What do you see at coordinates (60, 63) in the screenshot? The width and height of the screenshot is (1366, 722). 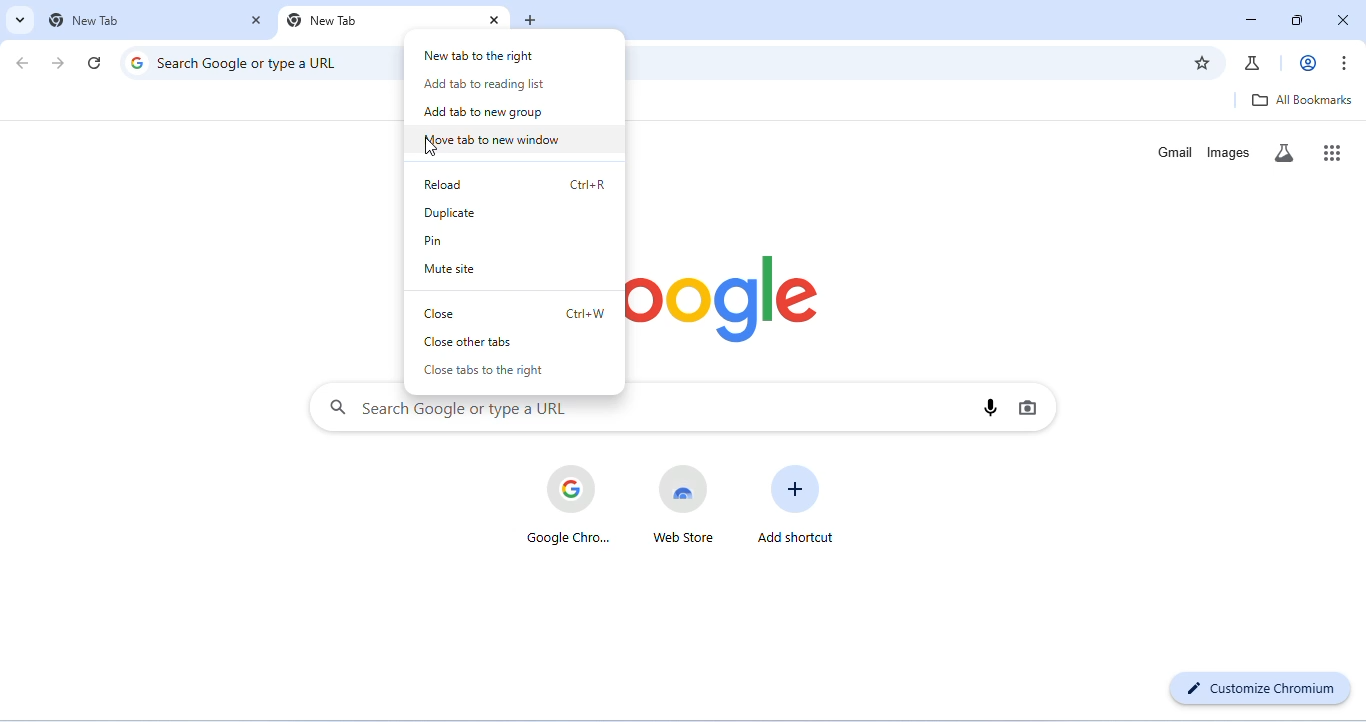 I see `go forward` at bounding box center [60, 63].